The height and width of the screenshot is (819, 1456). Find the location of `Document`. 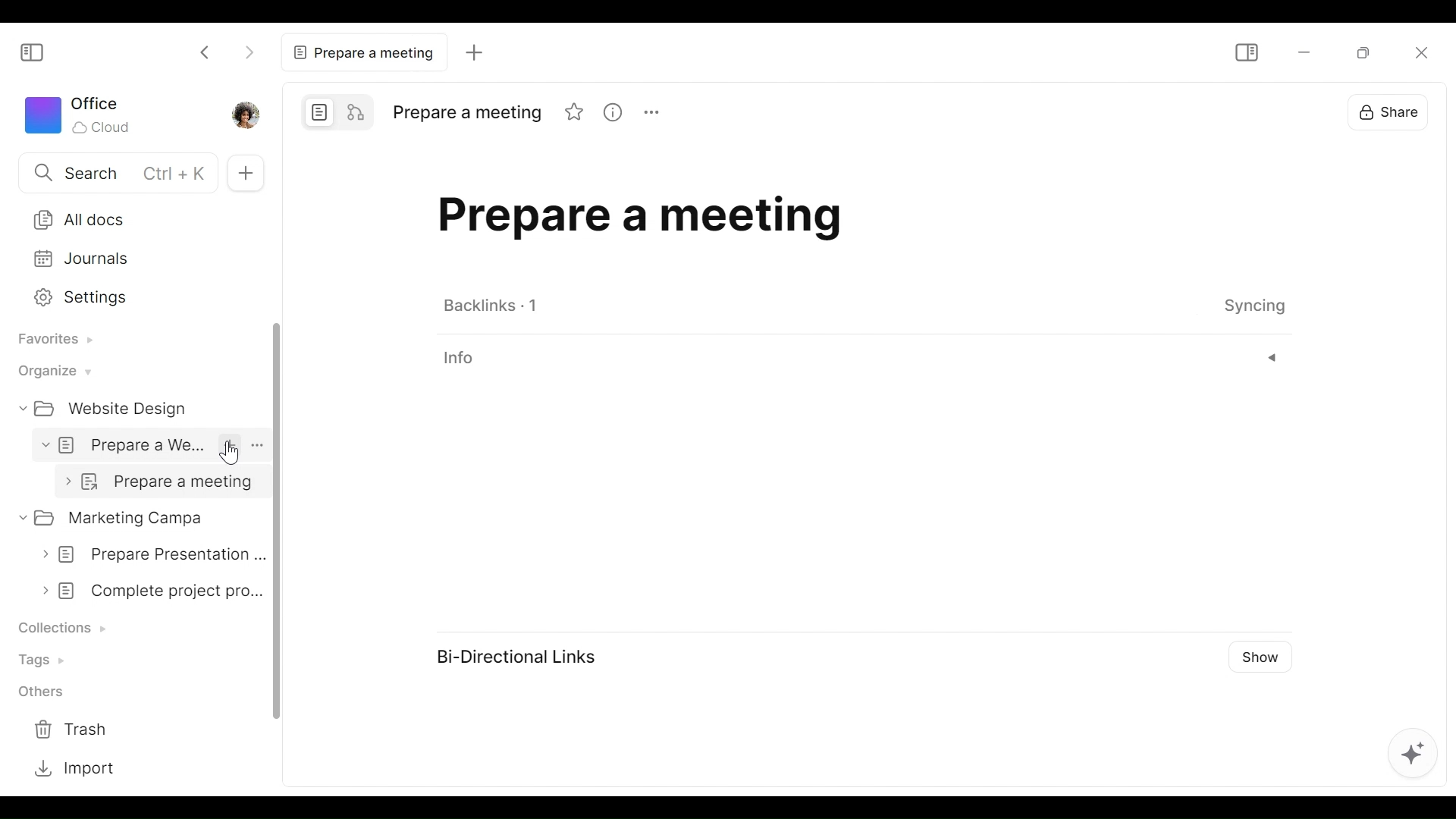

Document is located at coordinates (147, 591).